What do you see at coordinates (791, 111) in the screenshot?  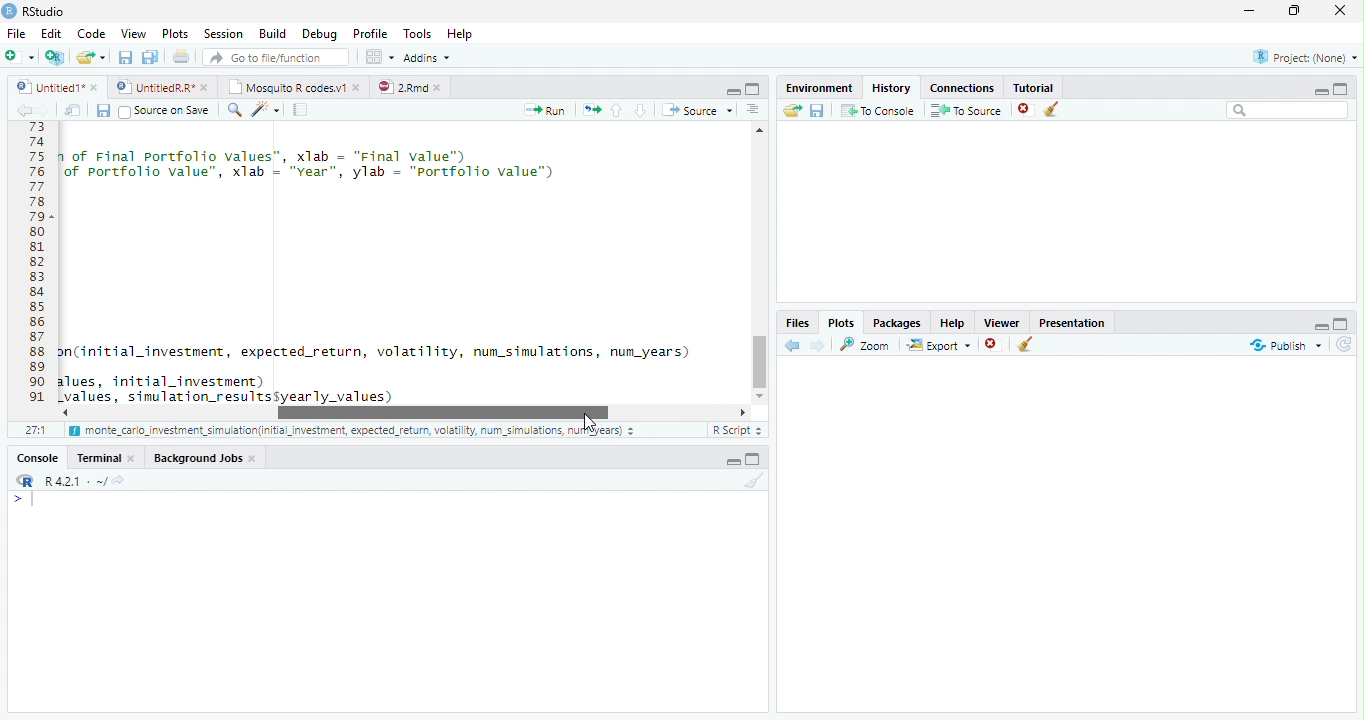 I see `Load history from an existing file` at bounding box center [791, 111].